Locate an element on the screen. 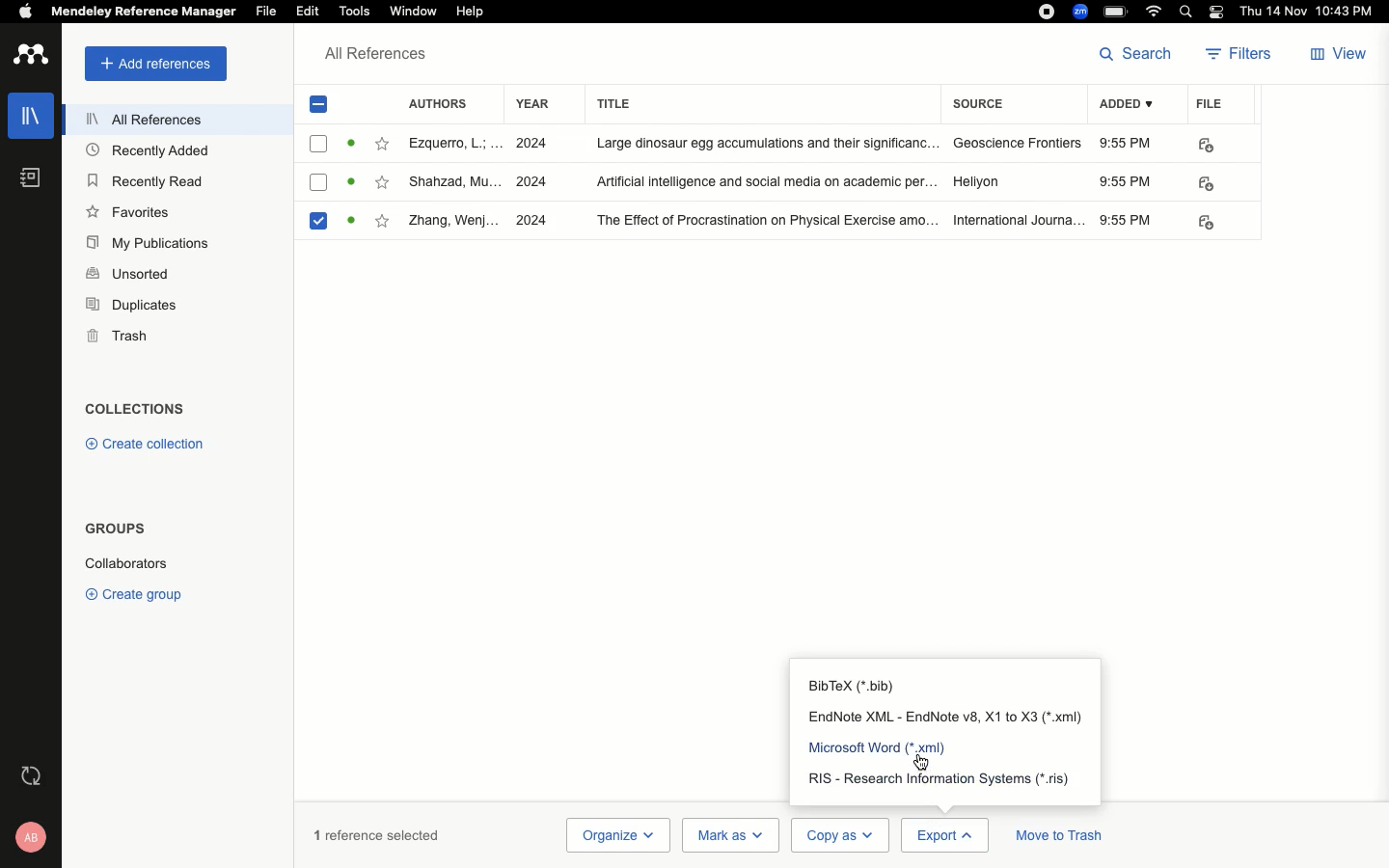  PDF is located at coordinates (1205, 145).